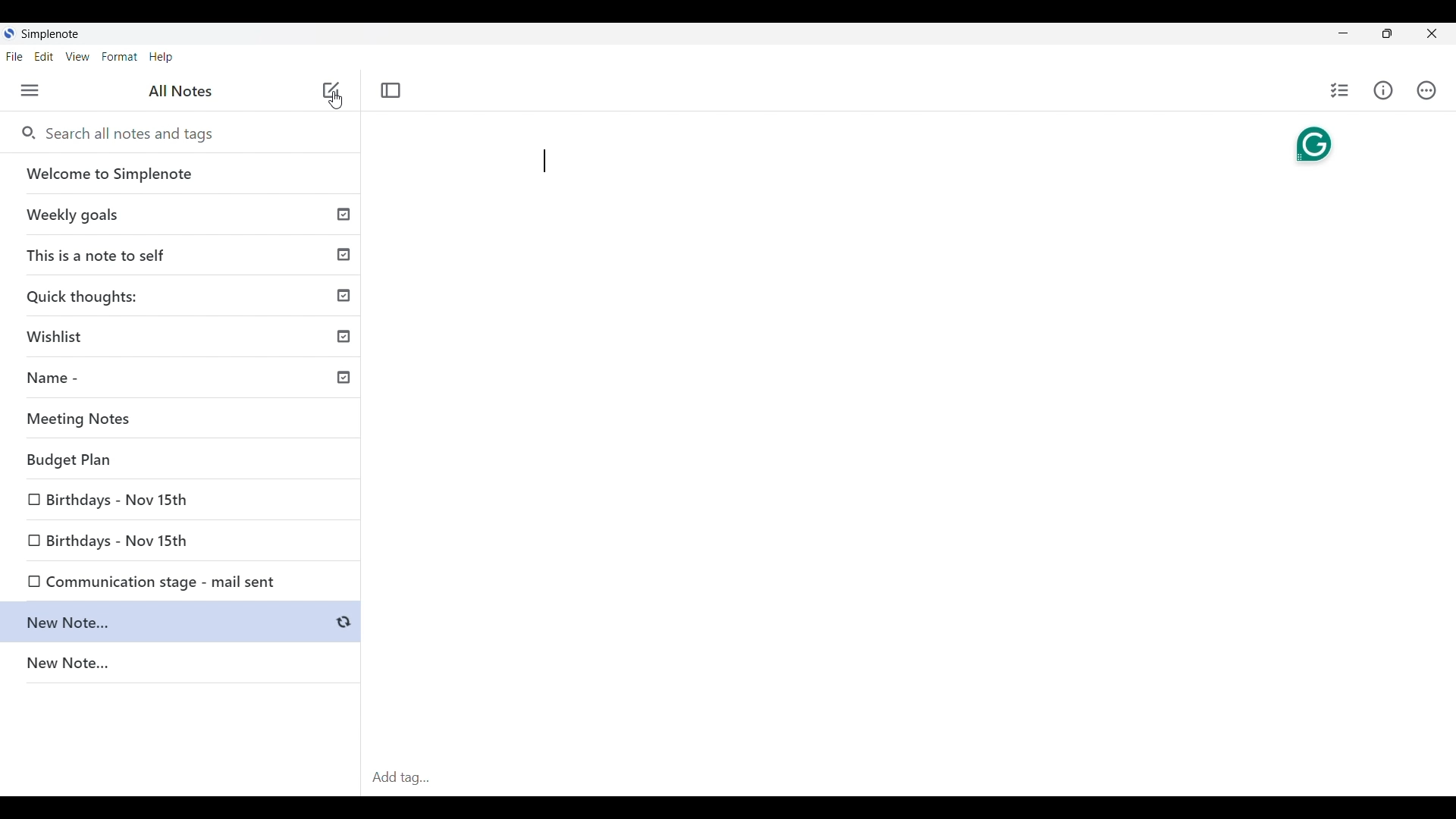 This screenshot has width=1456, height=819. Describe the element at coordinates (181, 665) in the screenshot. I see `New Note..` at that location.